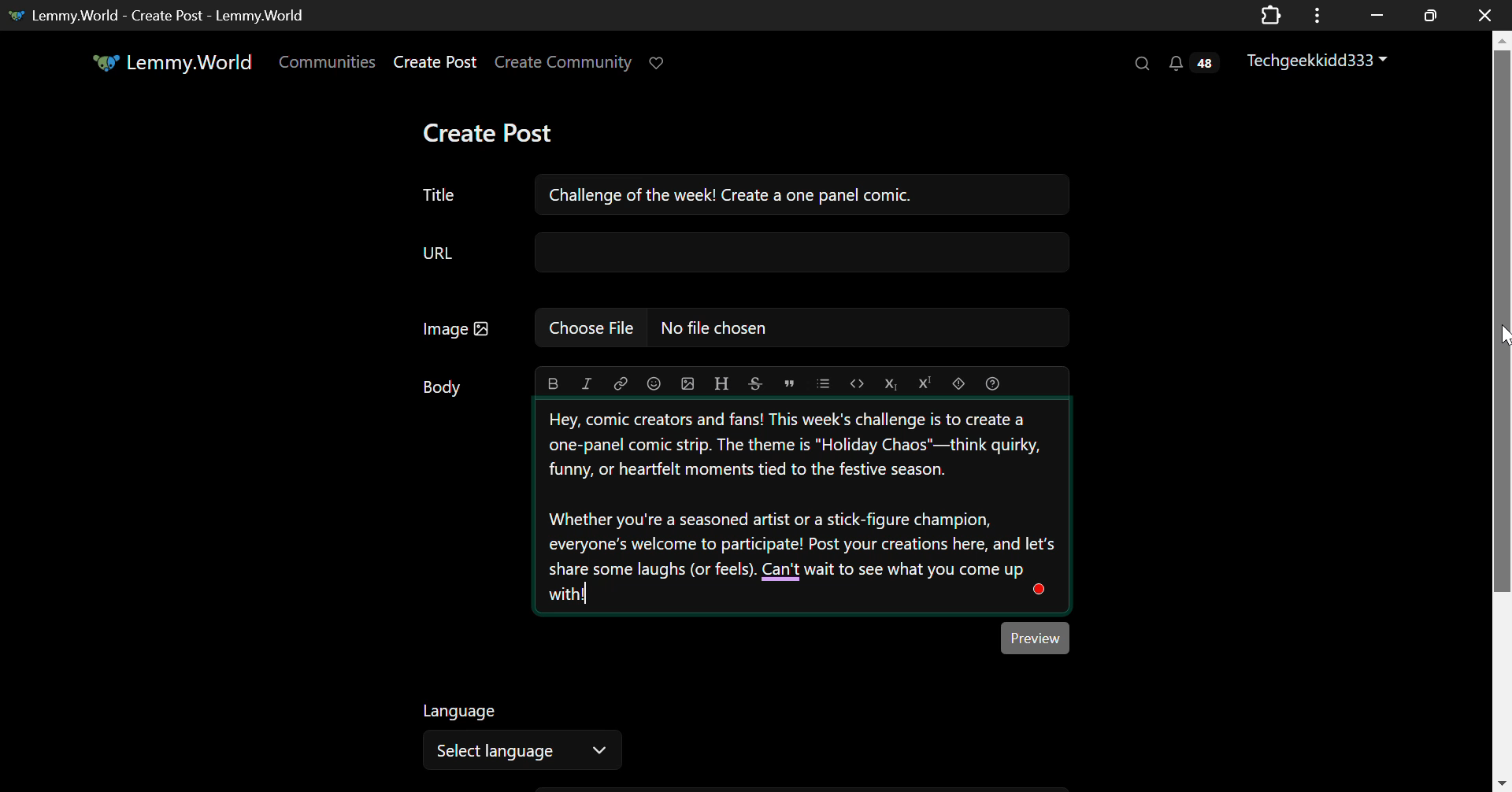  I want to click on Options Menu, so click(1314, 14).